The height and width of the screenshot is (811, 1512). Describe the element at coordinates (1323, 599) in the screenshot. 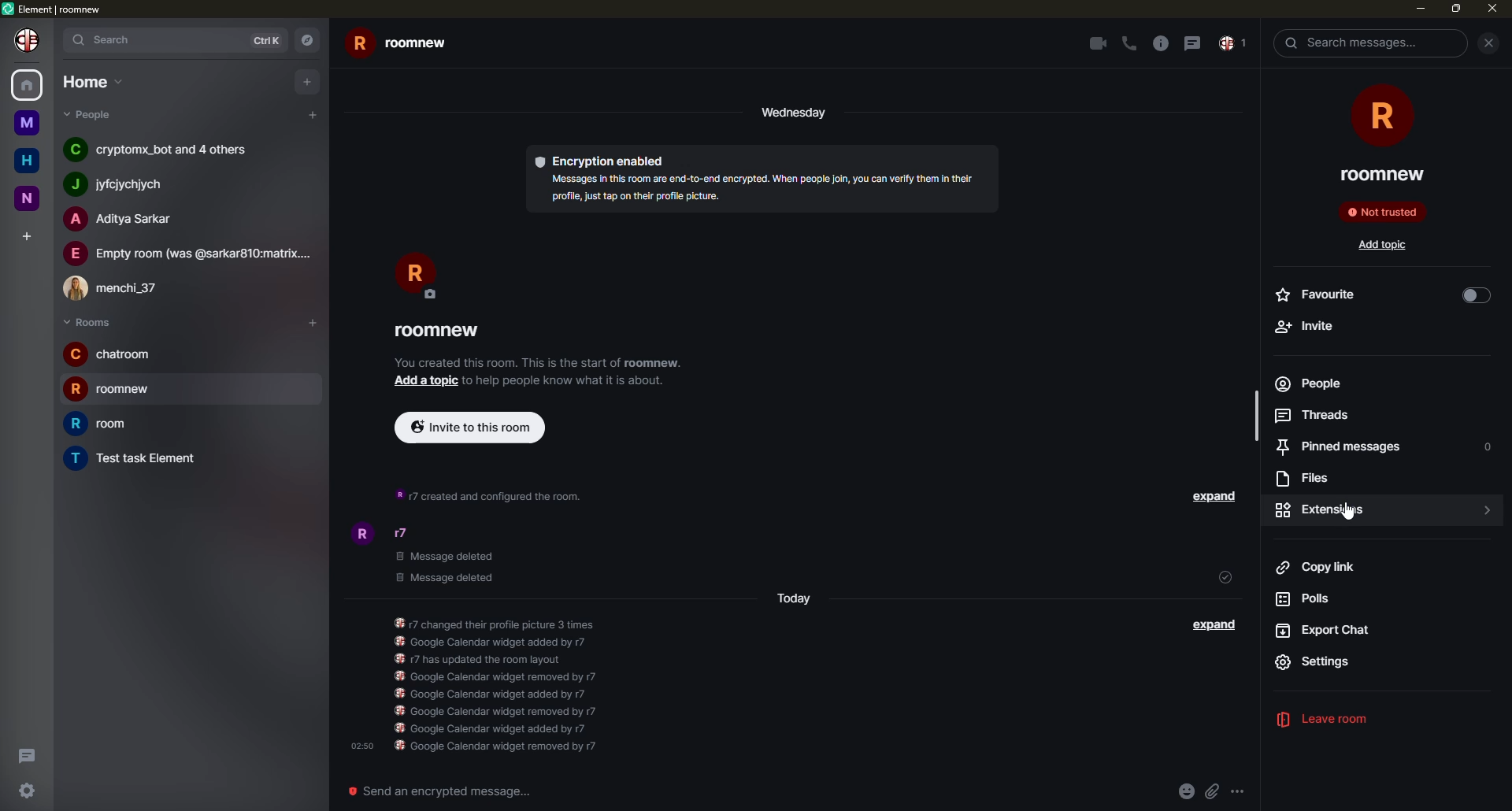

I see `pods` at that location.